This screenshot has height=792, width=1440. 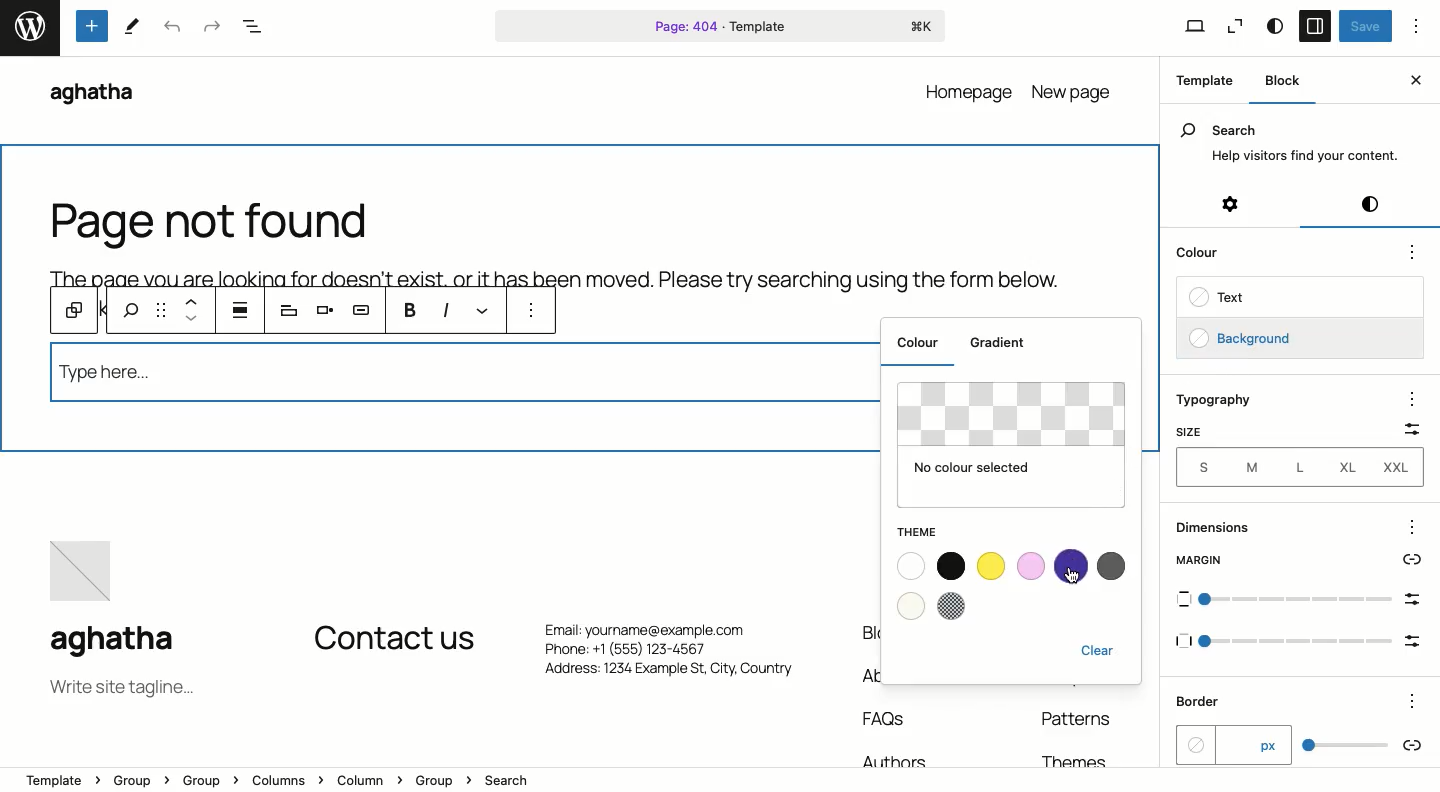 I want to click on Email: yourname@example.com, so click(x=658, y=626).